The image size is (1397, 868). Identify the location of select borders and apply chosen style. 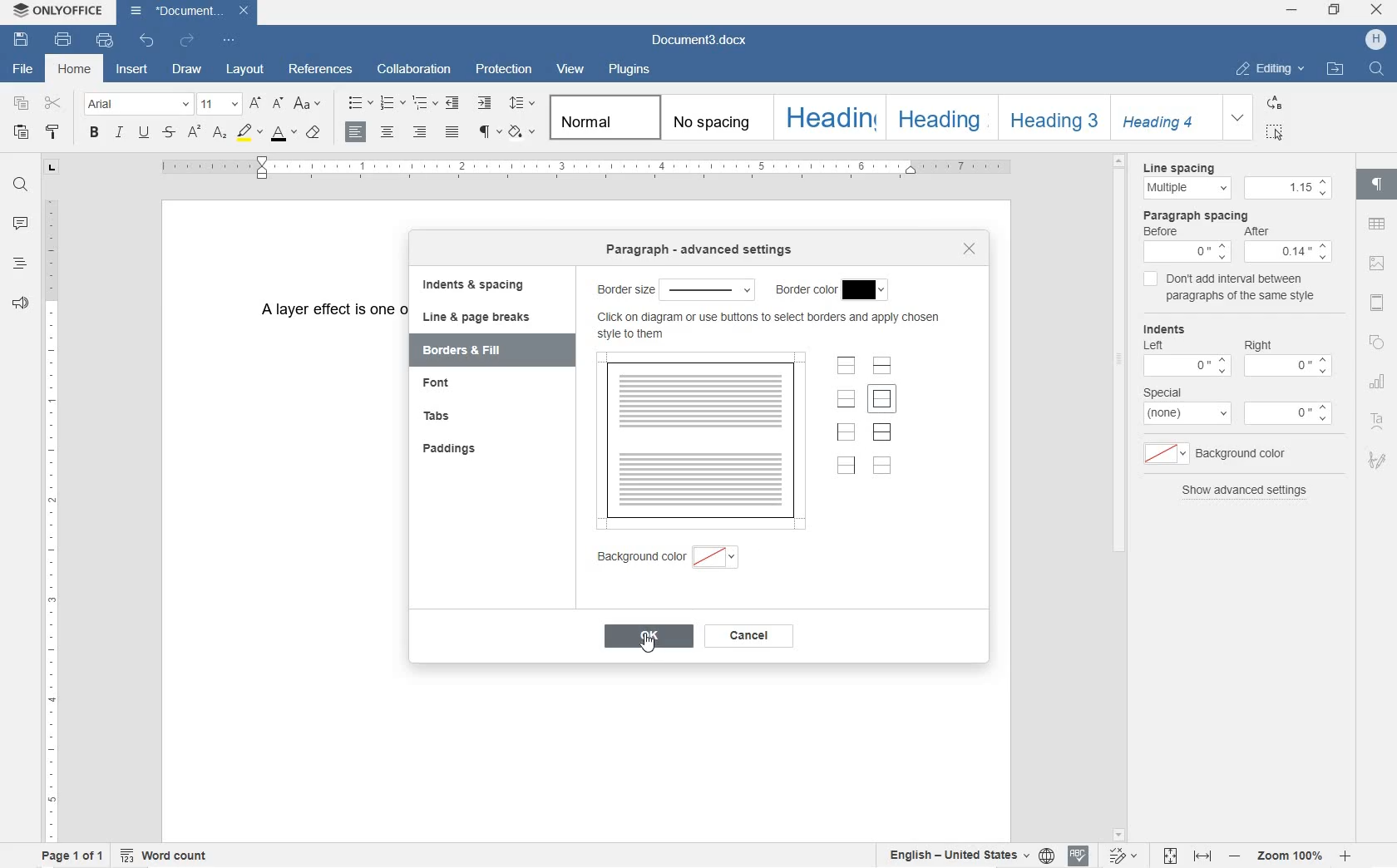
(772, 323).